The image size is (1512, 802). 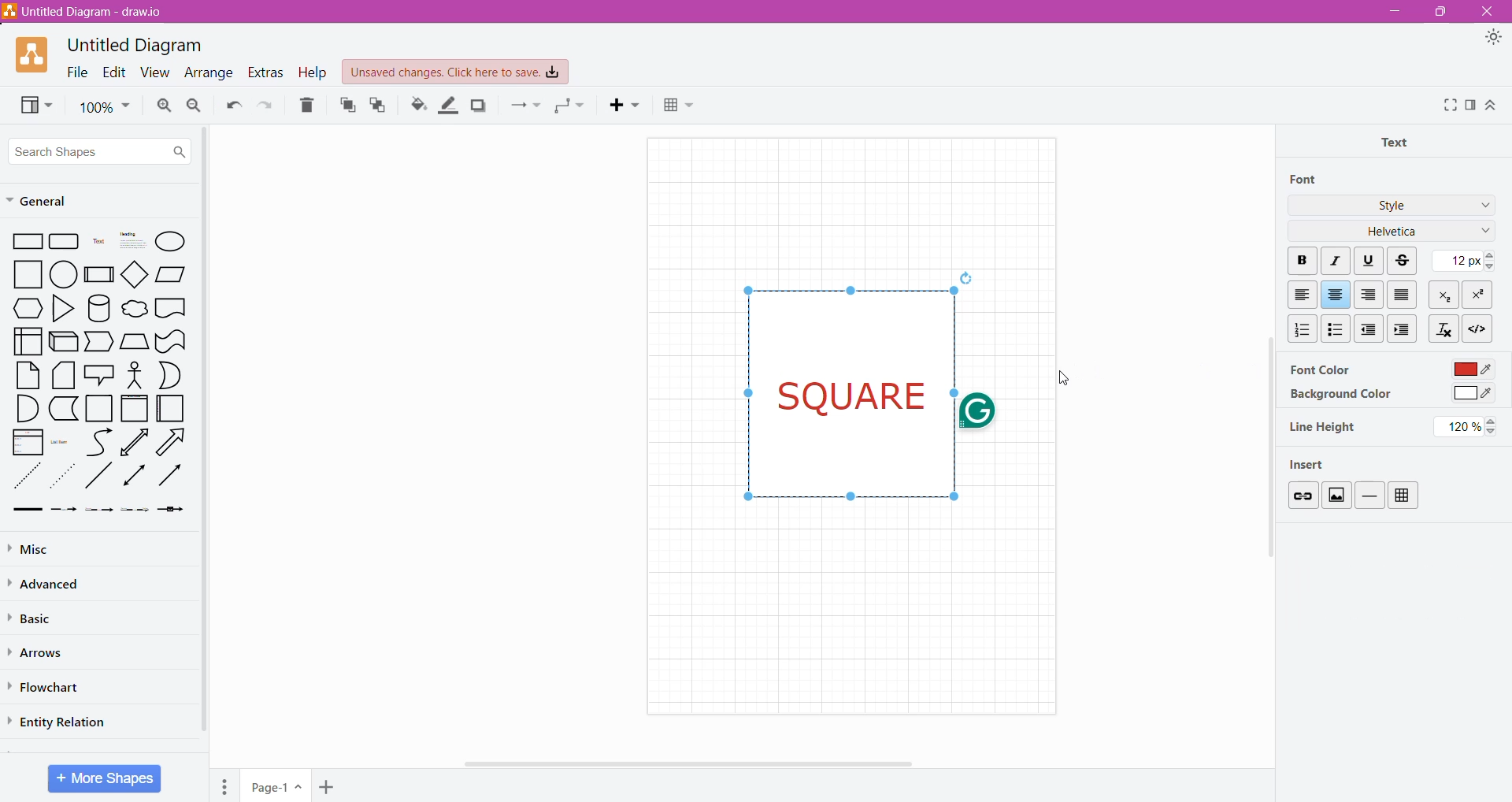 I want to click on Numbered List, so click(x=1299, y=329).